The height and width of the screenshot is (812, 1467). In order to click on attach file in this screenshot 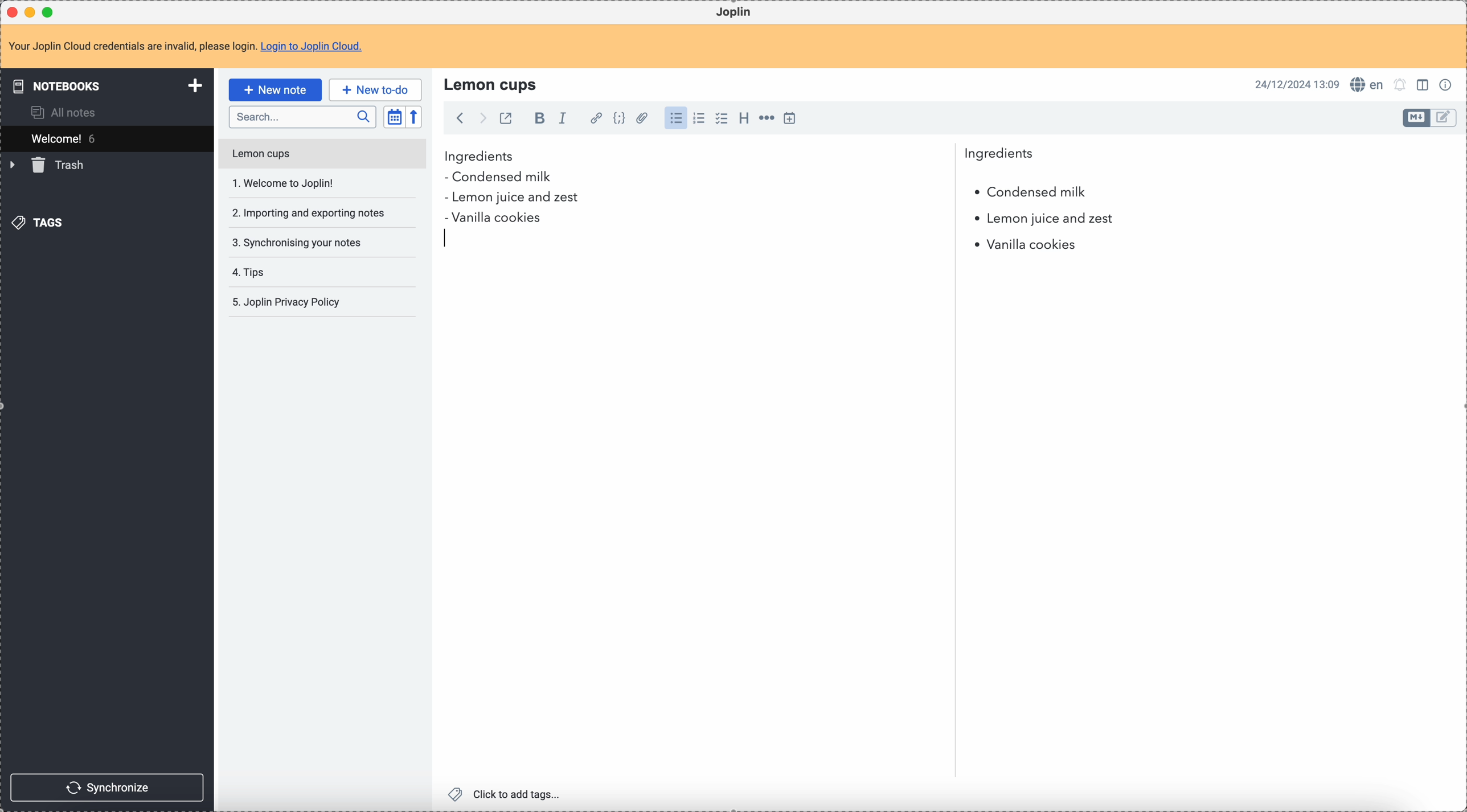, I will do `click(640, 119)`.